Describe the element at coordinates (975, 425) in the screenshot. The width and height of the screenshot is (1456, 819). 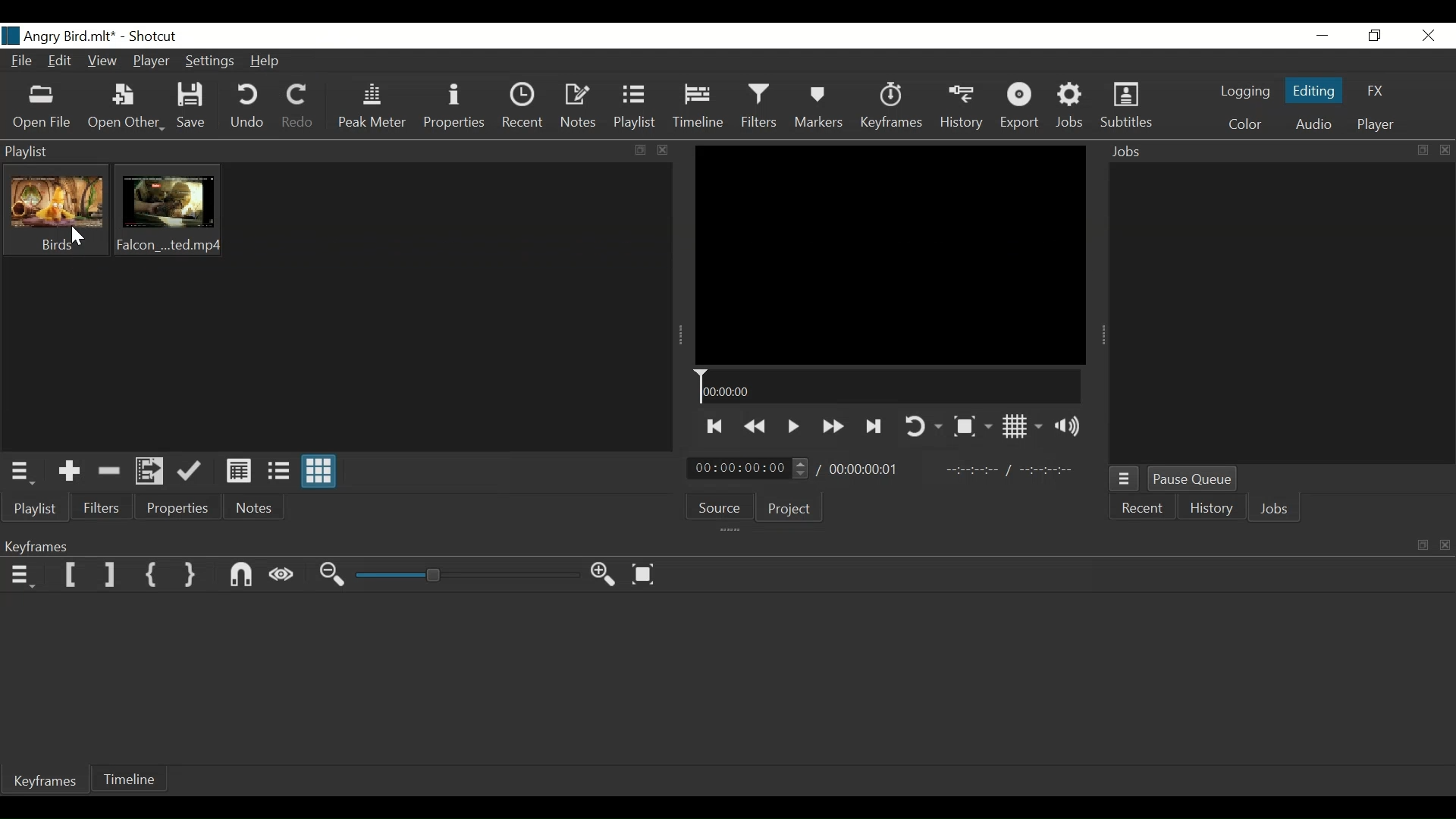
I see `Toggle Zoom` at that location.